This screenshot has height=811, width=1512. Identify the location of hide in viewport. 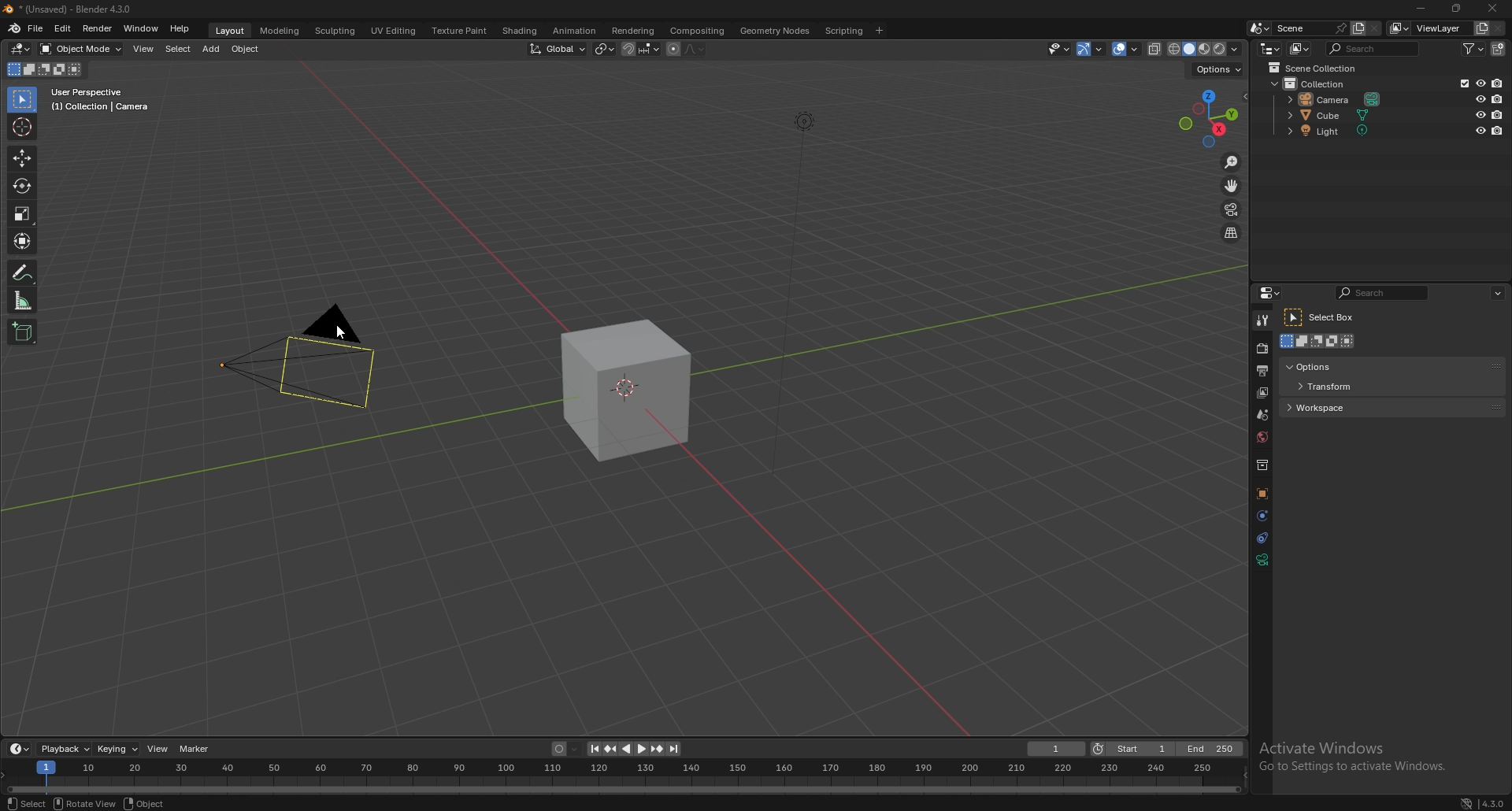
(1480, 114).